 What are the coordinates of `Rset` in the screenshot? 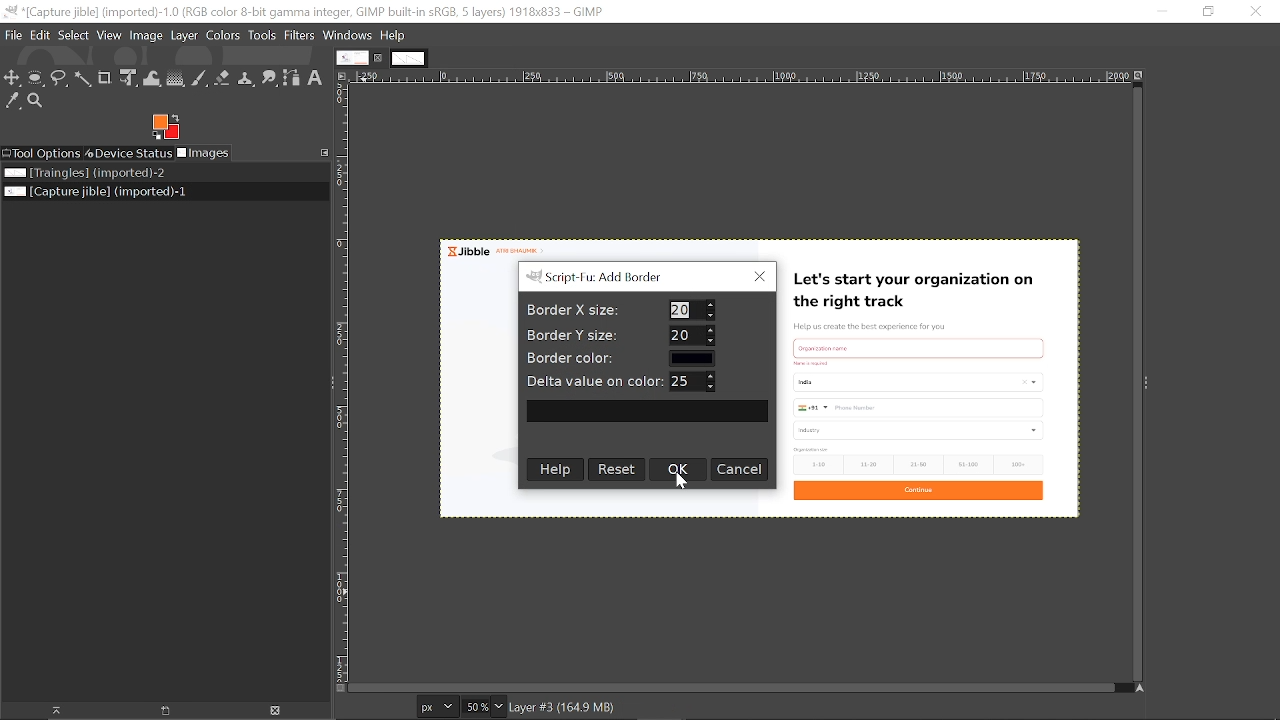 It's located at (617, 468).